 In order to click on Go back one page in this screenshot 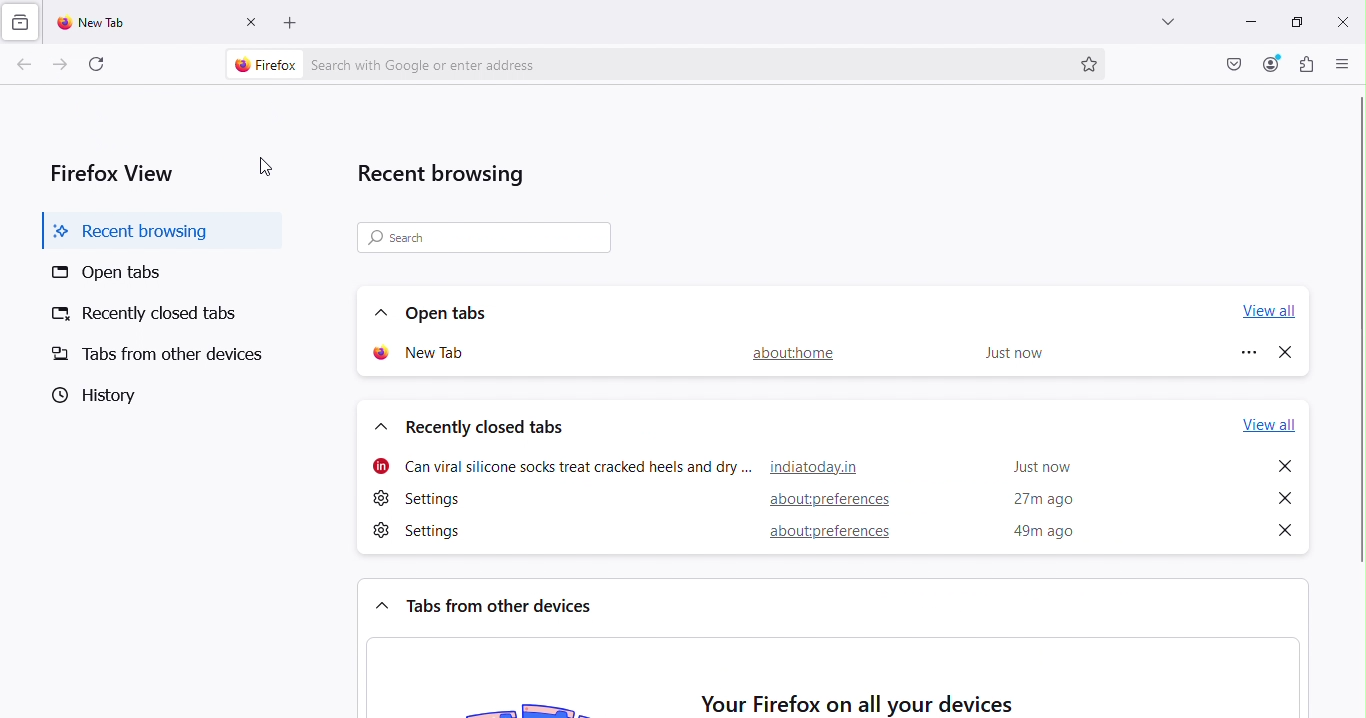, I will do `click(28, 62)`.